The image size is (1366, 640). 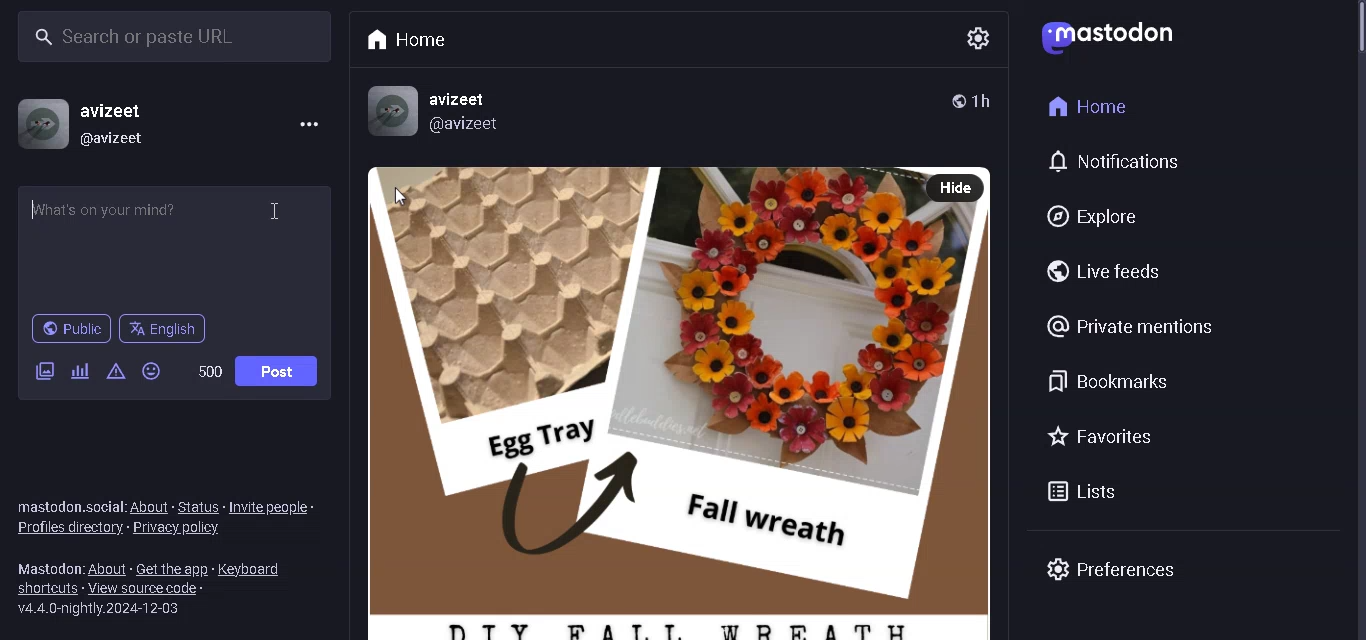 What do you see at coordinates (1114, 570) in the screenshot?
I see `PREFRENCES` at bounding box center [1114, 570].